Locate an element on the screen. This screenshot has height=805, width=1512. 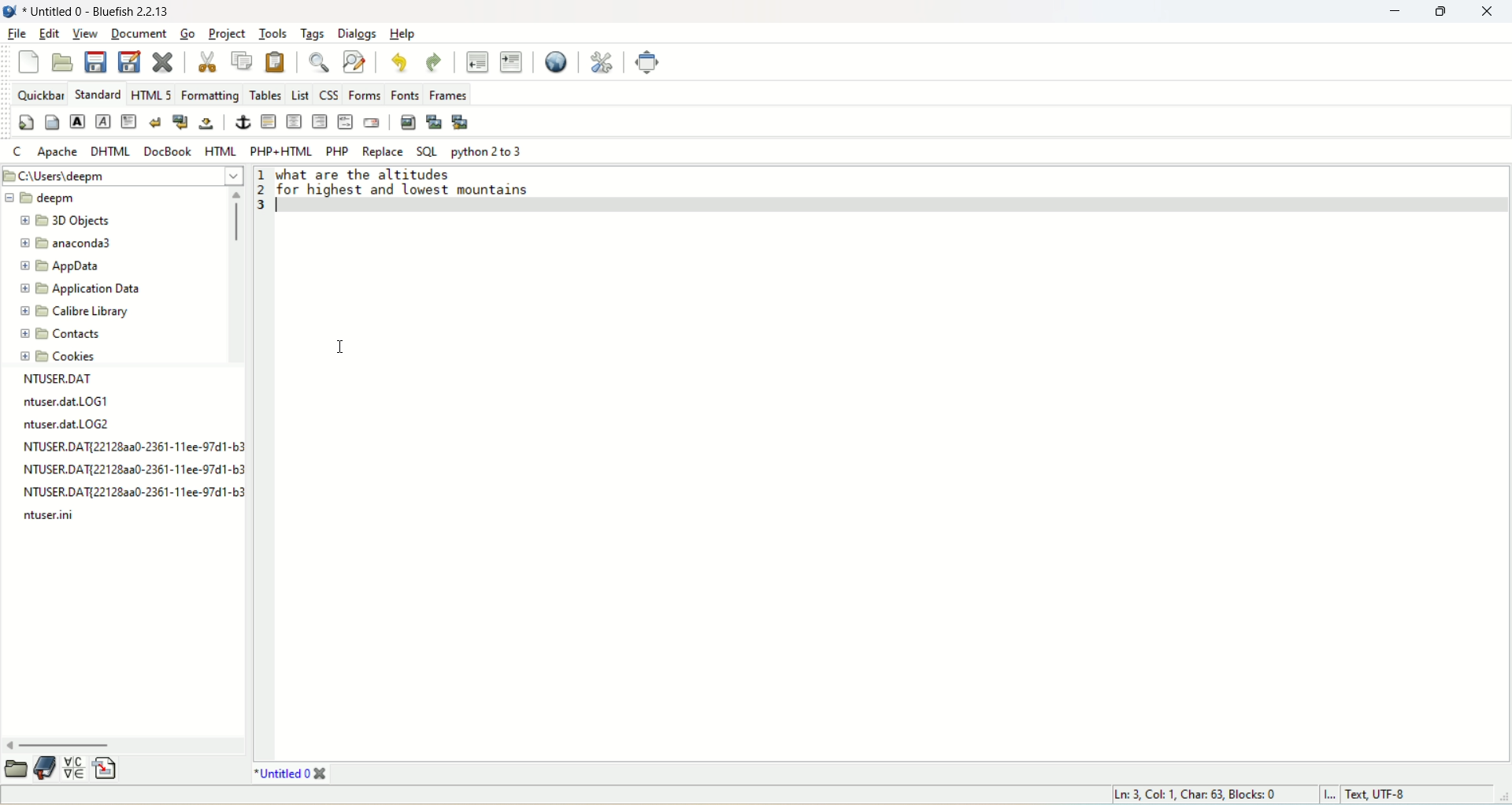
right justify is located at coordinates (319, 122).